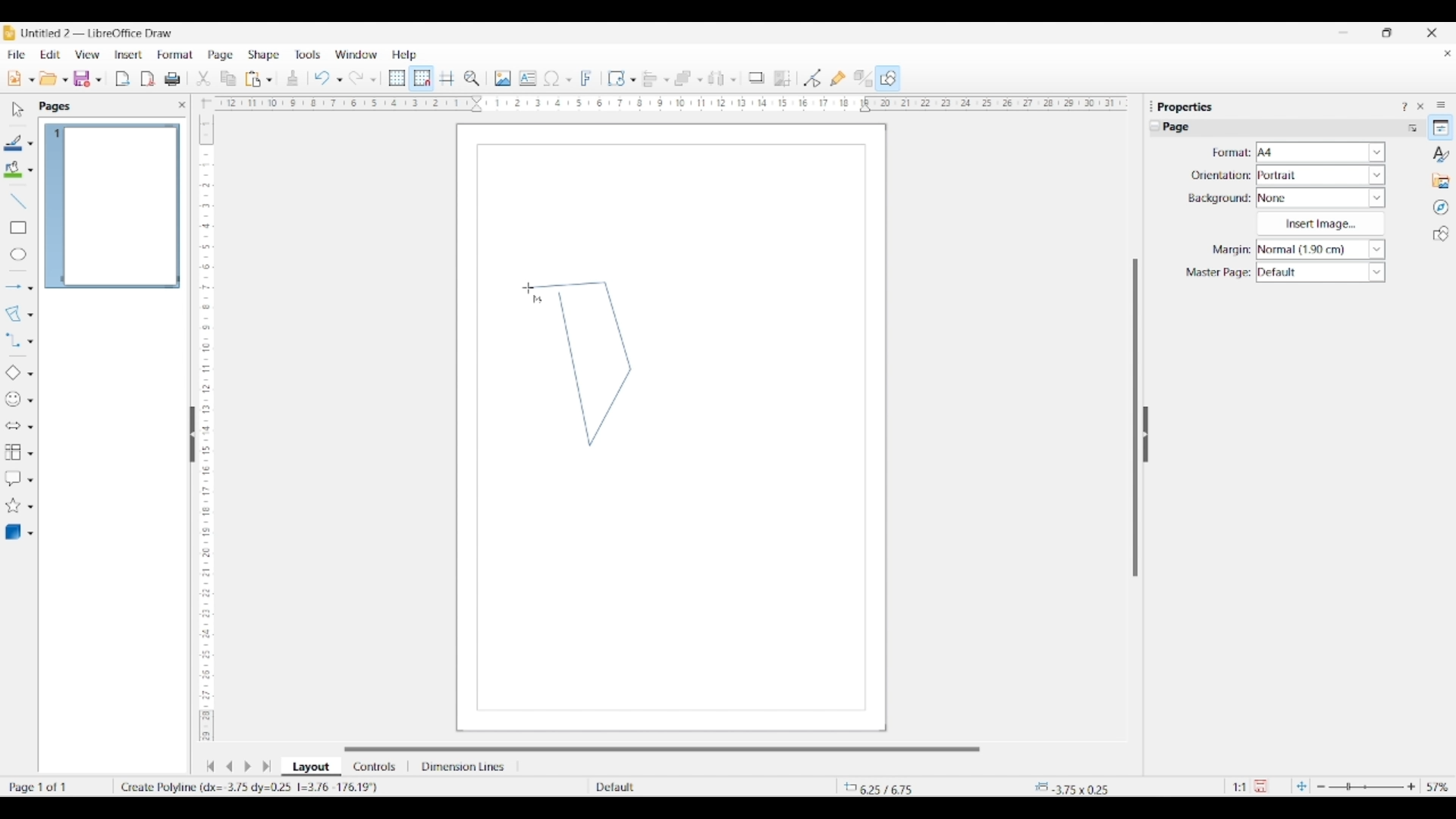  Describe the element at coordinates (30, 453) in the screenshot. I see `Flowchart options` at that location.